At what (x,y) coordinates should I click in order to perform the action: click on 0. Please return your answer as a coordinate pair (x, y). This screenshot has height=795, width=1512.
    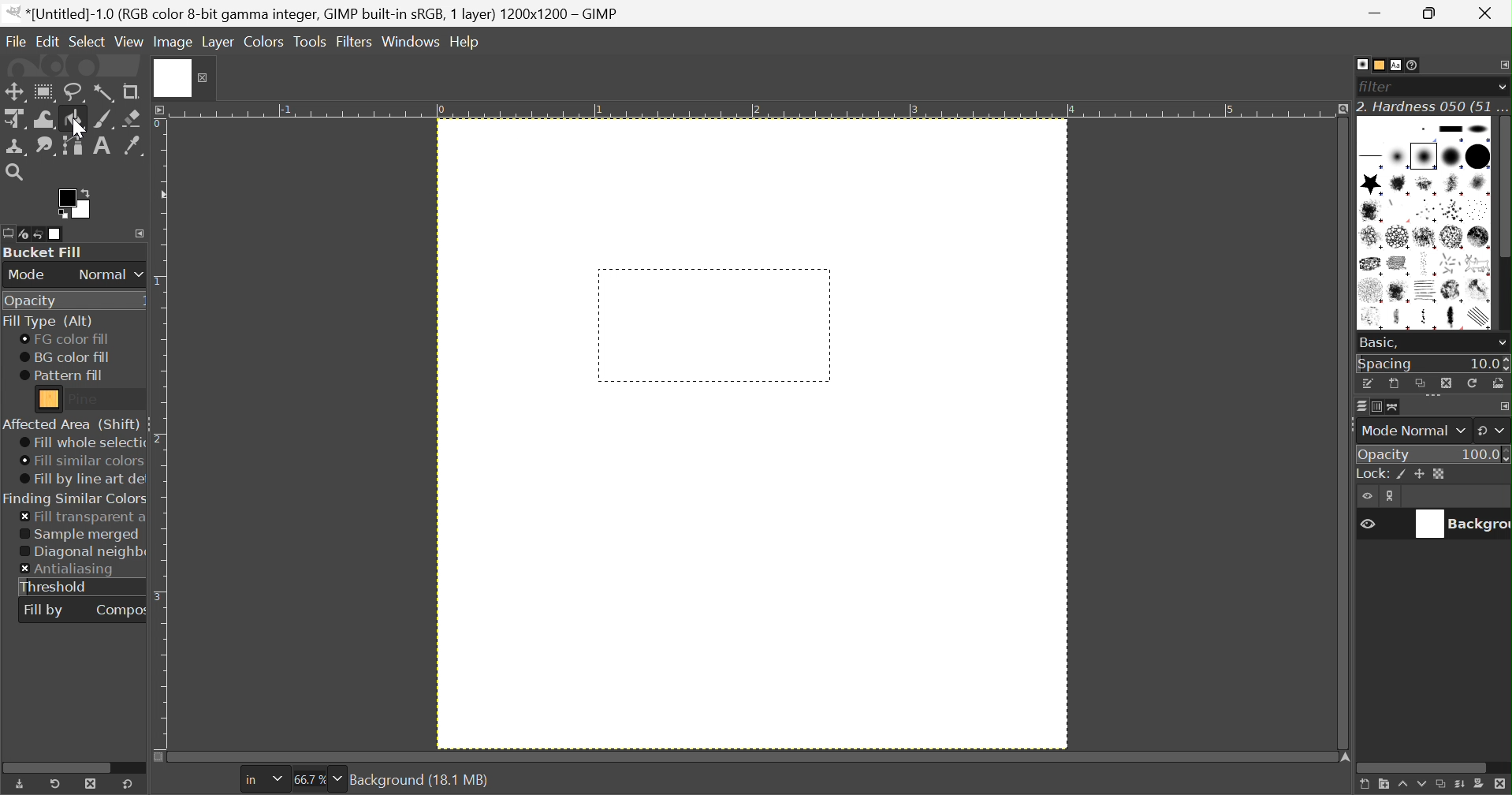
    Looking at the image, I should click on (159, 125).